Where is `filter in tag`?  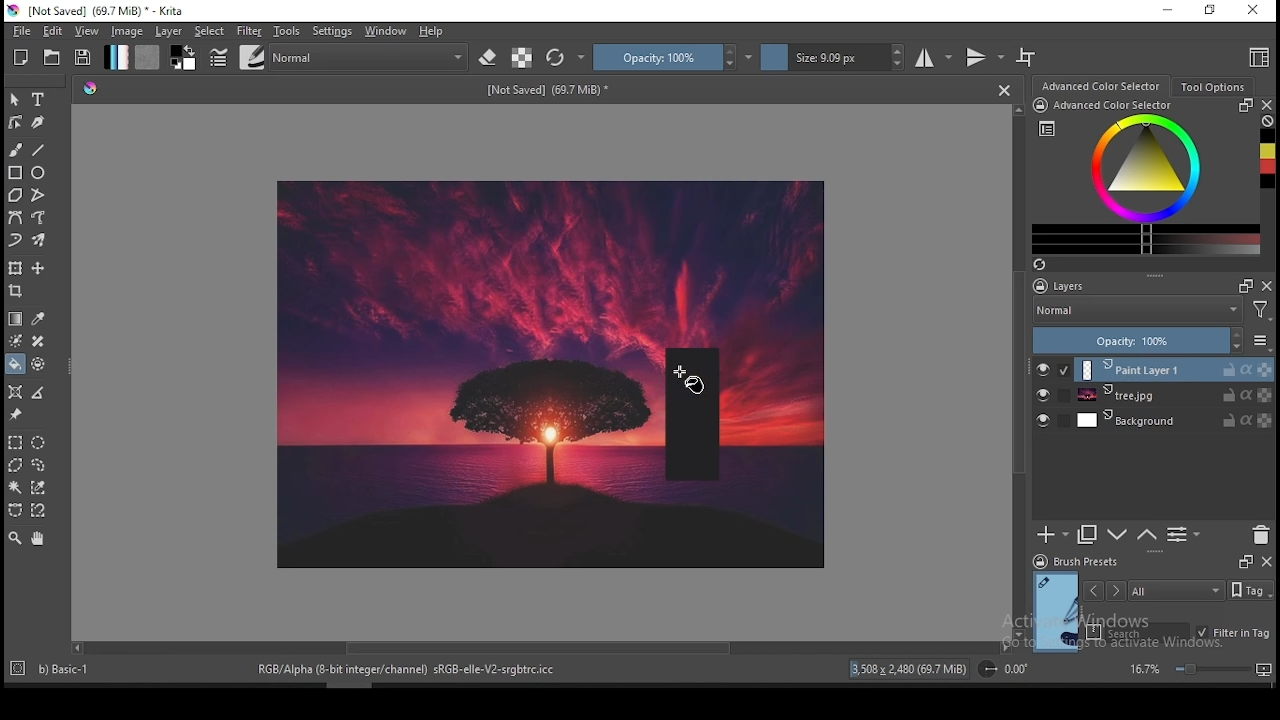
filter in tag is located at coordinates (1234, 631).